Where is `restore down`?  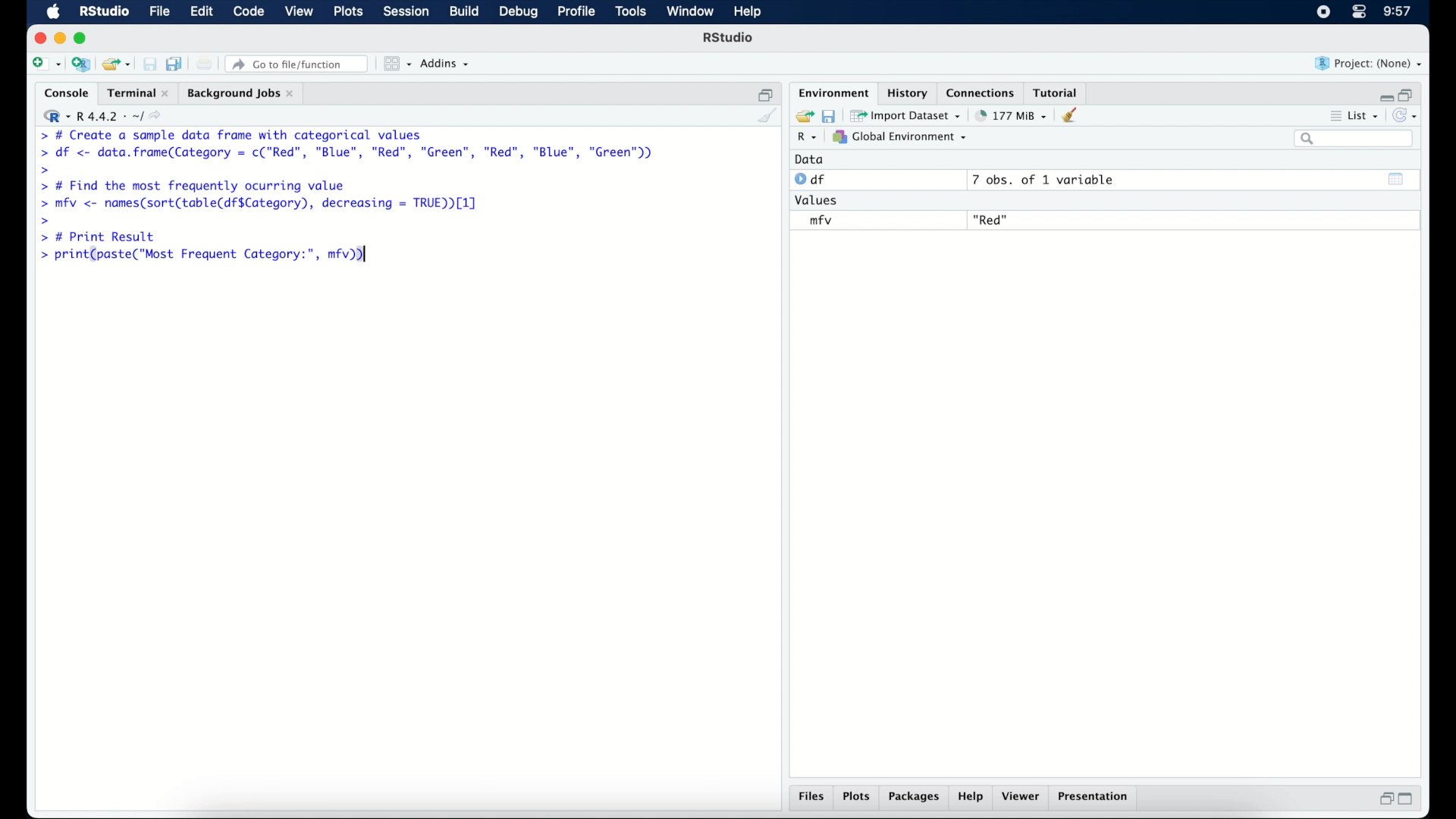
restore down is located at coordinates (1384, 799).